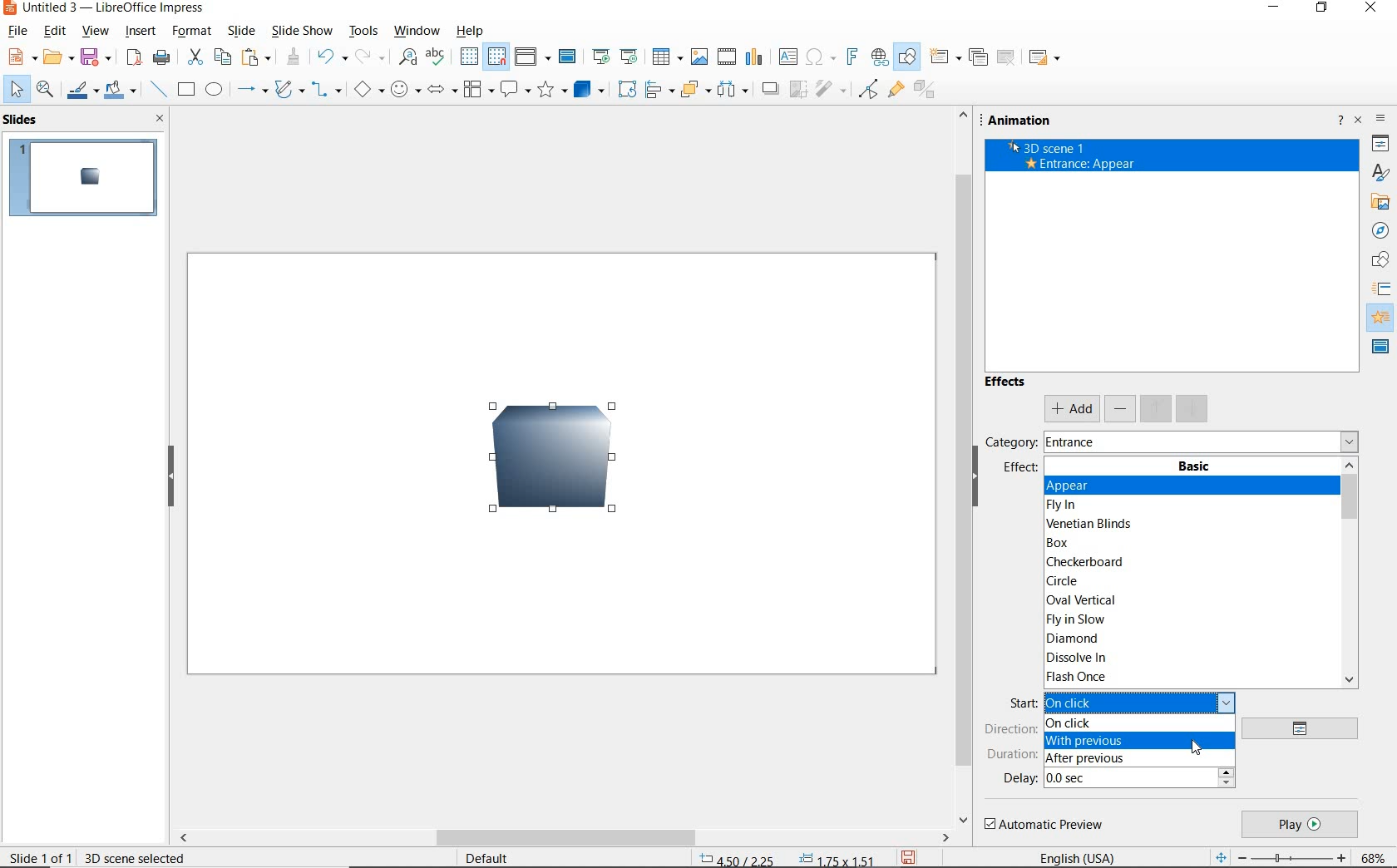  Describe the element at coordinates (1381, 348) in the screenshot. I see `master slides` at that location.